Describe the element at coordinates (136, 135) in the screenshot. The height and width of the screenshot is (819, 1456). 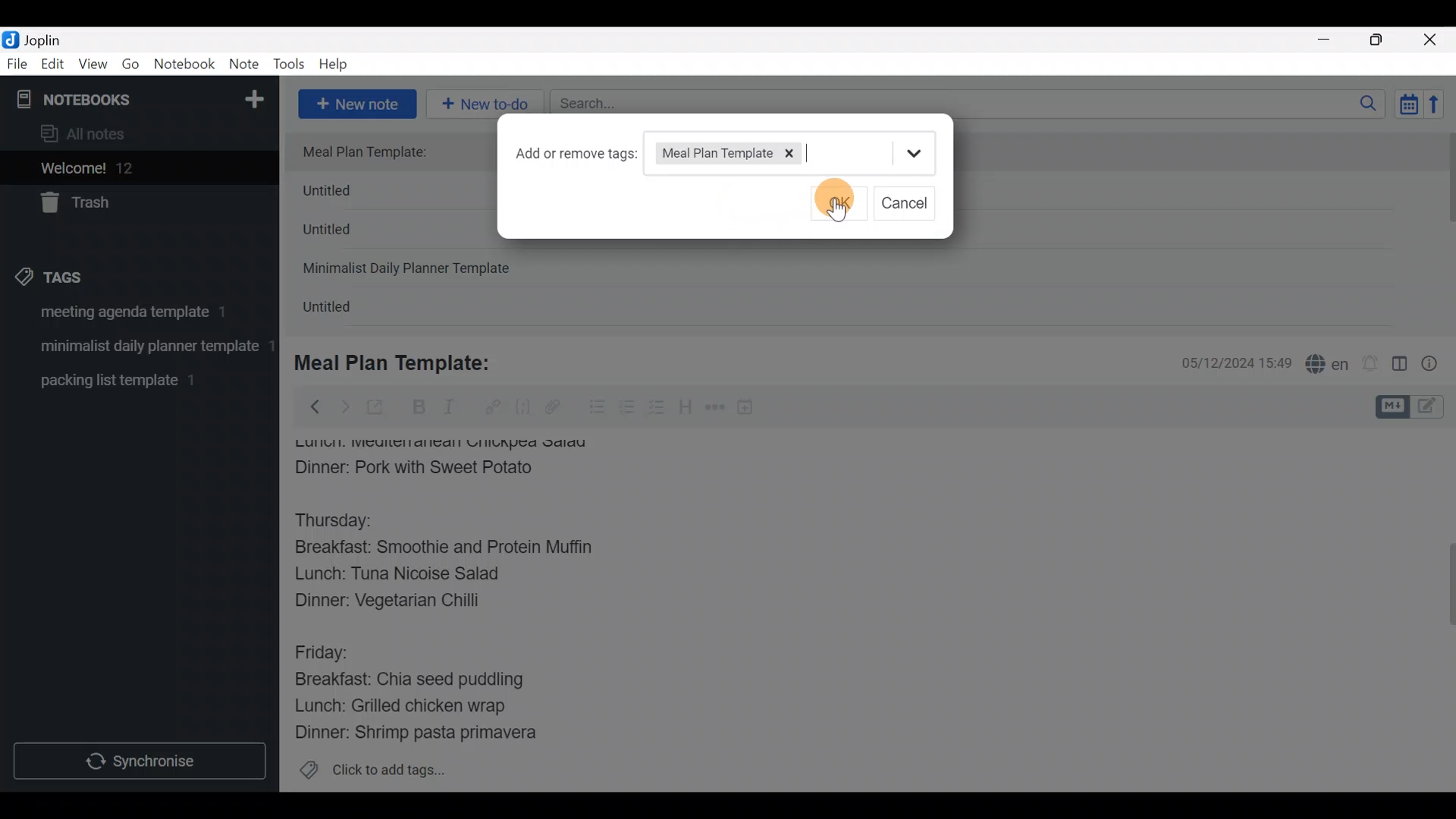
I see `All notes` at that location.